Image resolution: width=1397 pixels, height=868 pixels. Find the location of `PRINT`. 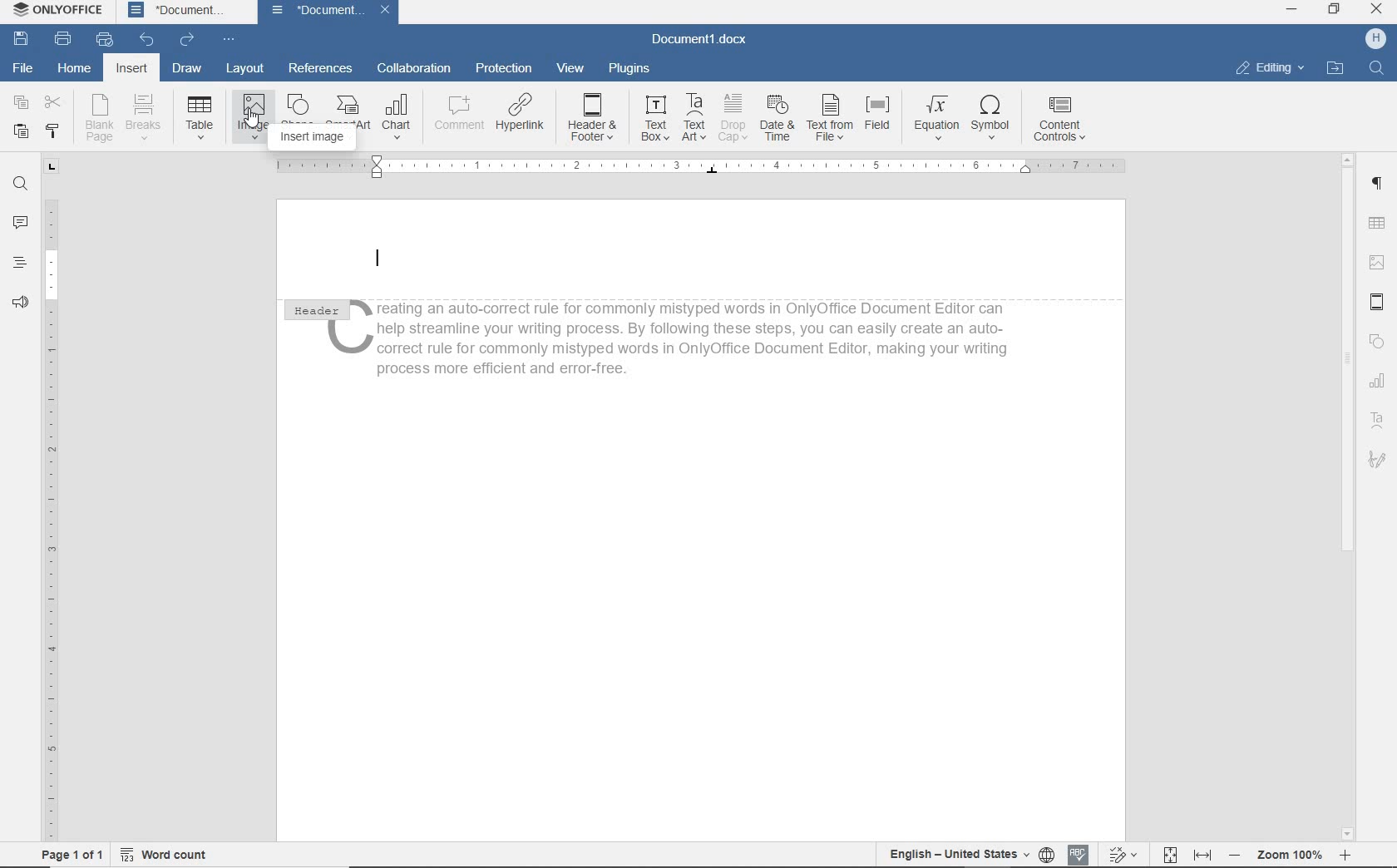

PRINT is located at coordinates (63, 37).